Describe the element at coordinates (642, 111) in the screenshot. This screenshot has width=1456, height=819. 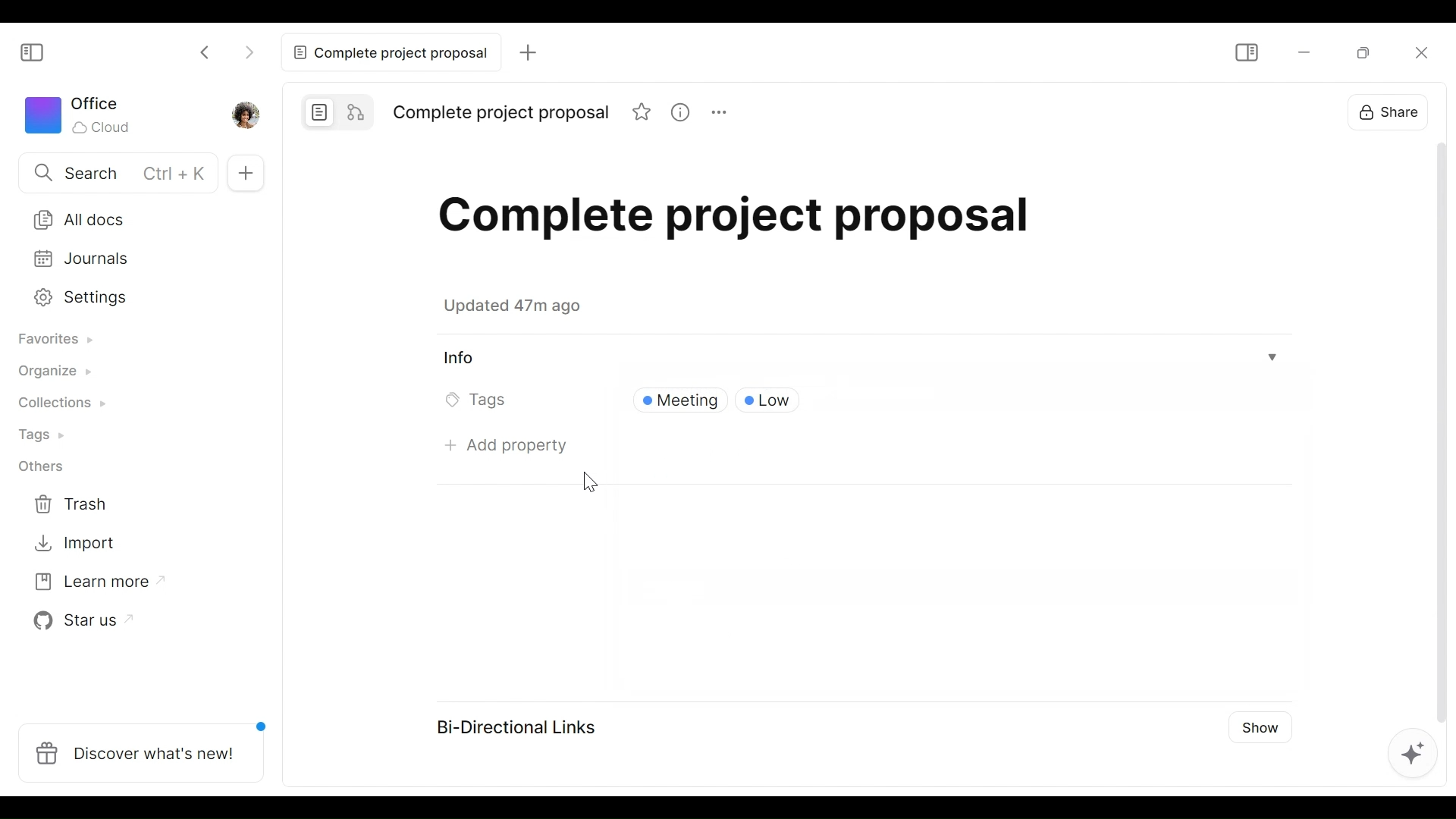
I see `Favorite` at that location.